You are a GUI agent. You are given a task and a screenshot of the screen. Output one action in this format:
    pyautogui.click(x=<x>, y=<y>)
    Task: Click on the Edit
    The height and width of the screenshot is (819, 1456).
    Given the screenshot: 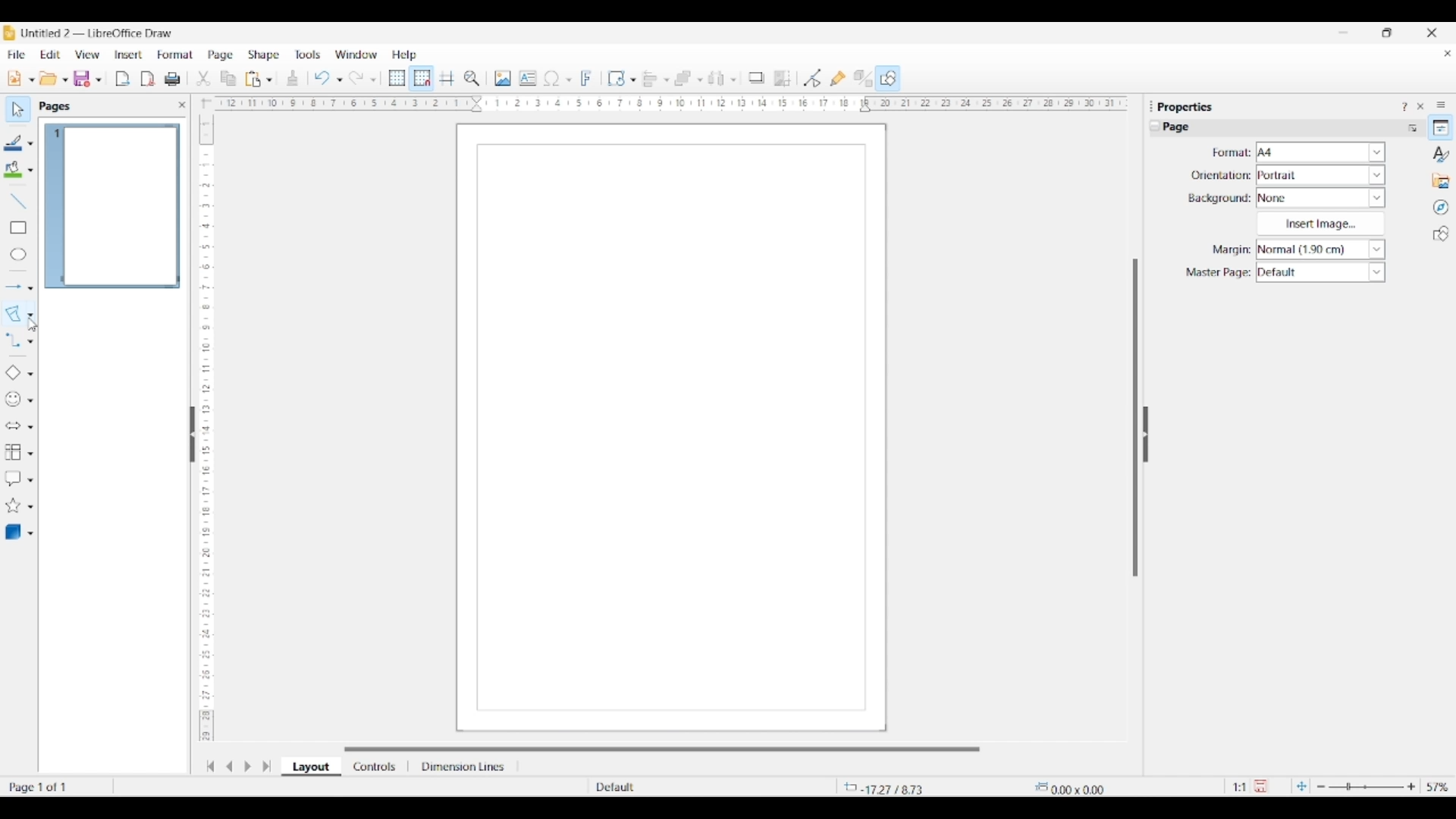 What is the action you would take?
    pyautogui.click(x=50, y=55)
    